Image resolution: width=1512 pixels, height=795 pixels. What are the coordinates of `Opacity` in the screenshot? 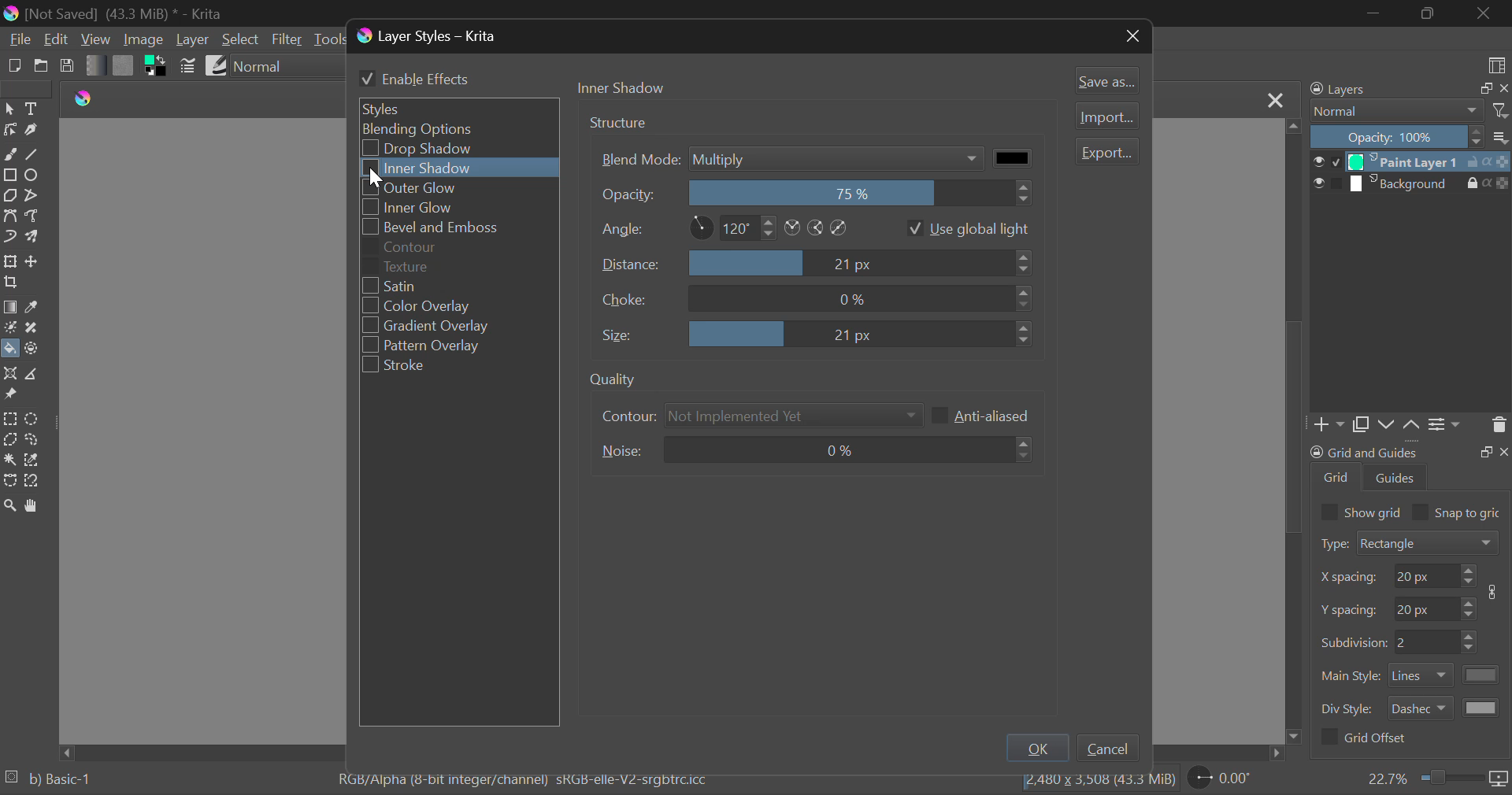 It's located at (817, 193).